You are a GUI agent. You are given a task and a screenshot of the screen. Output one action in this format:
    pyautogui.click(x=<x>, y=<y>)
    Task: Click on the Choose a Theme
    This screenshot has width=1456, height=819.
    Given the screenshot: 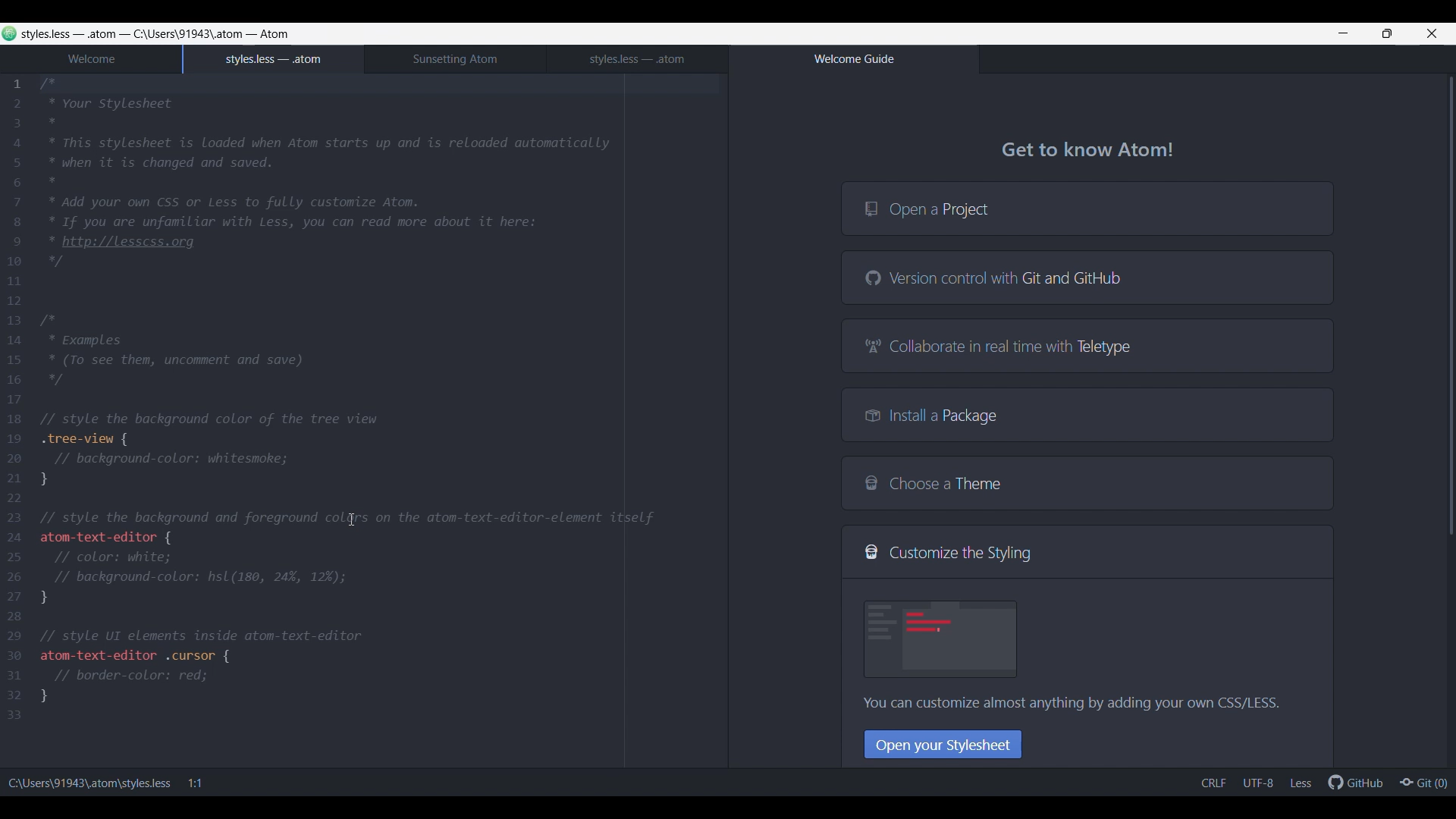 What is the action you would take?
    pyautogui.click(x=1087, y=483)
    